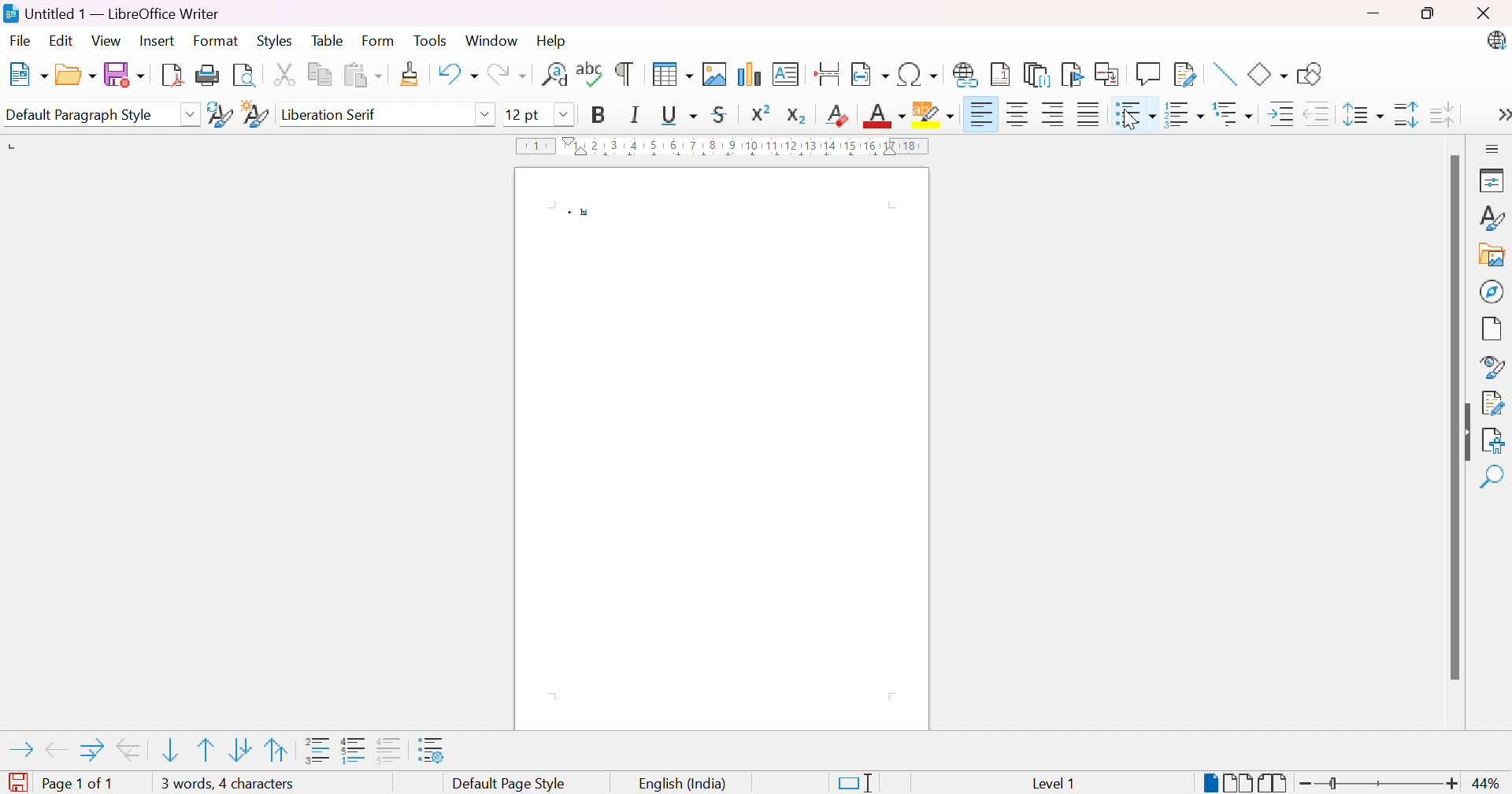 The width and height of the screenshot is (1512, 794). I want to click on Save, so click(125, 75).